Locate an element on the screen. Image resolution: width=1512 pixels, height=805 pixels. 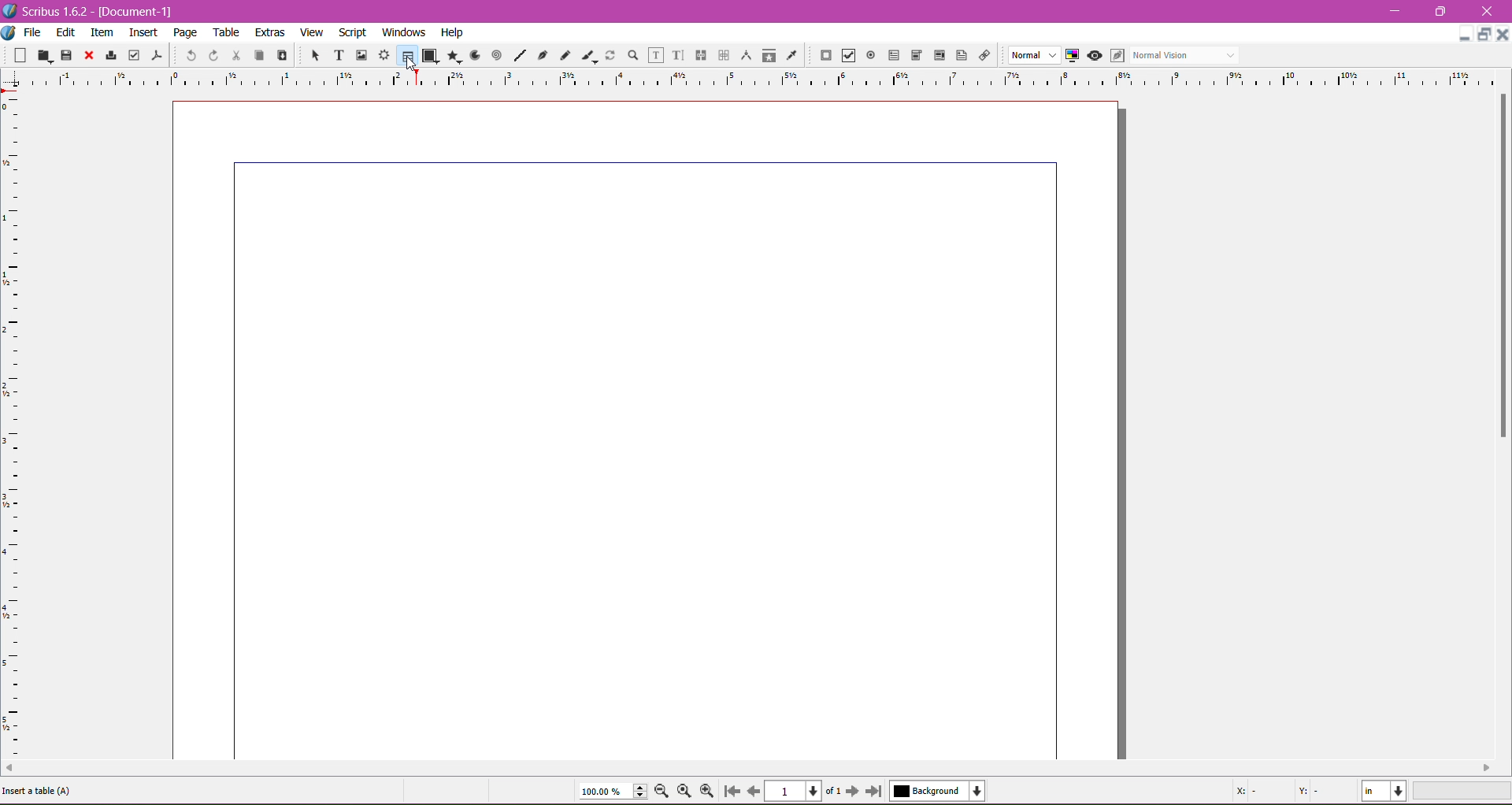
Minimize is located at coordinates (1399, 9).